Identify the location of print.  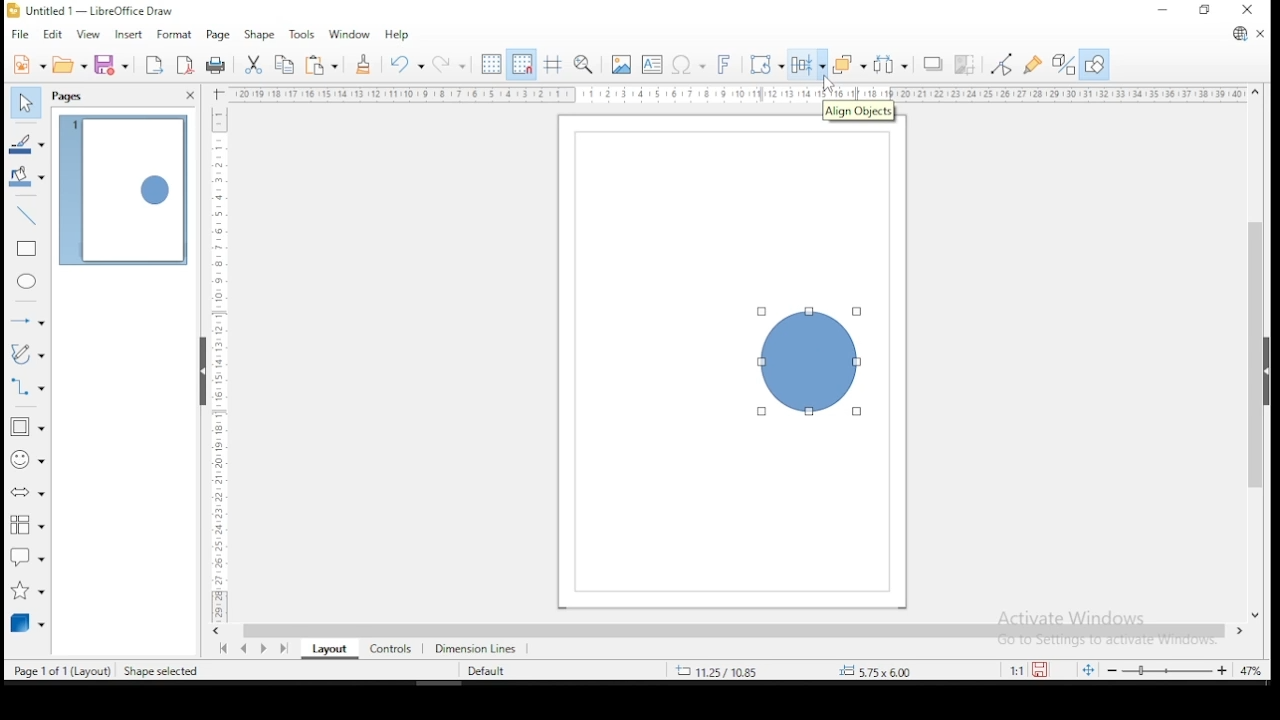
(217, 66).